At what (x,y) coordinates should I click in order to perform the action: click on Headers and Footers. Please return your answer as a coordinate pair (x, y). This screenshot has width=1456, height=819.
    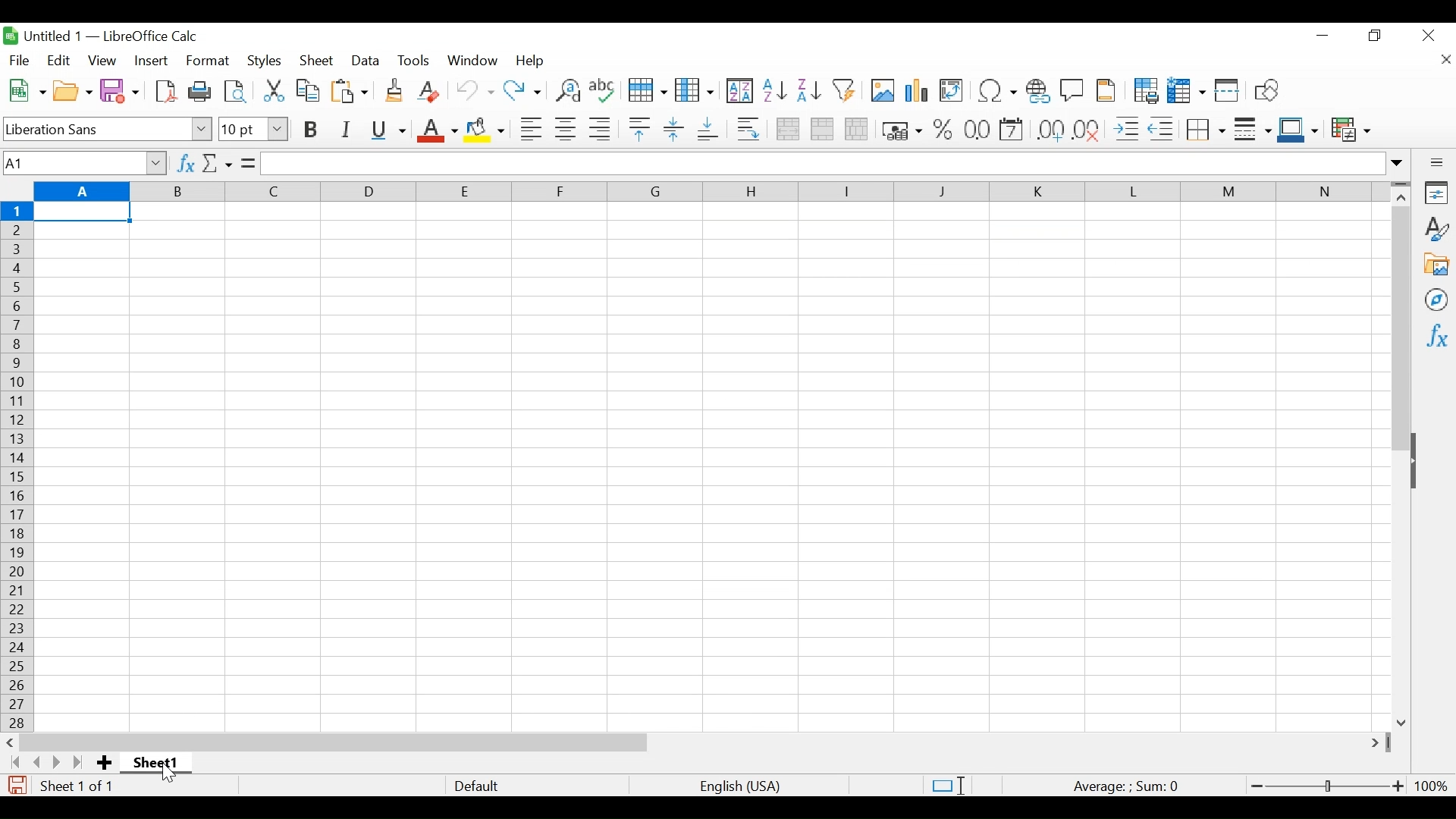
    Looking at the image, I should click on (1107, 91).